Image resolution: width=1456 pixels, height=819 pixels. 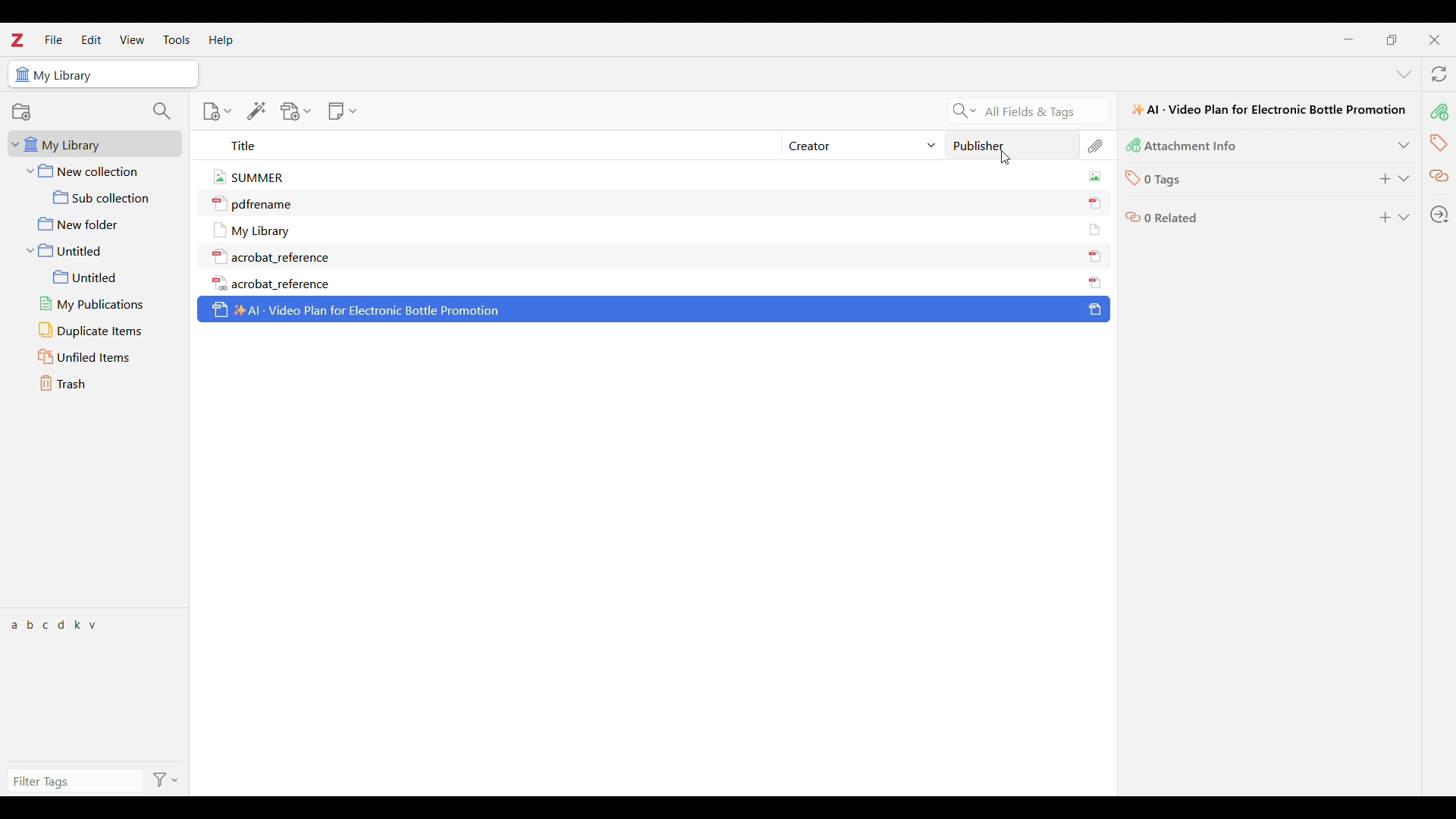 I want to click on acrobat_reference, so click(x=270, y=283).